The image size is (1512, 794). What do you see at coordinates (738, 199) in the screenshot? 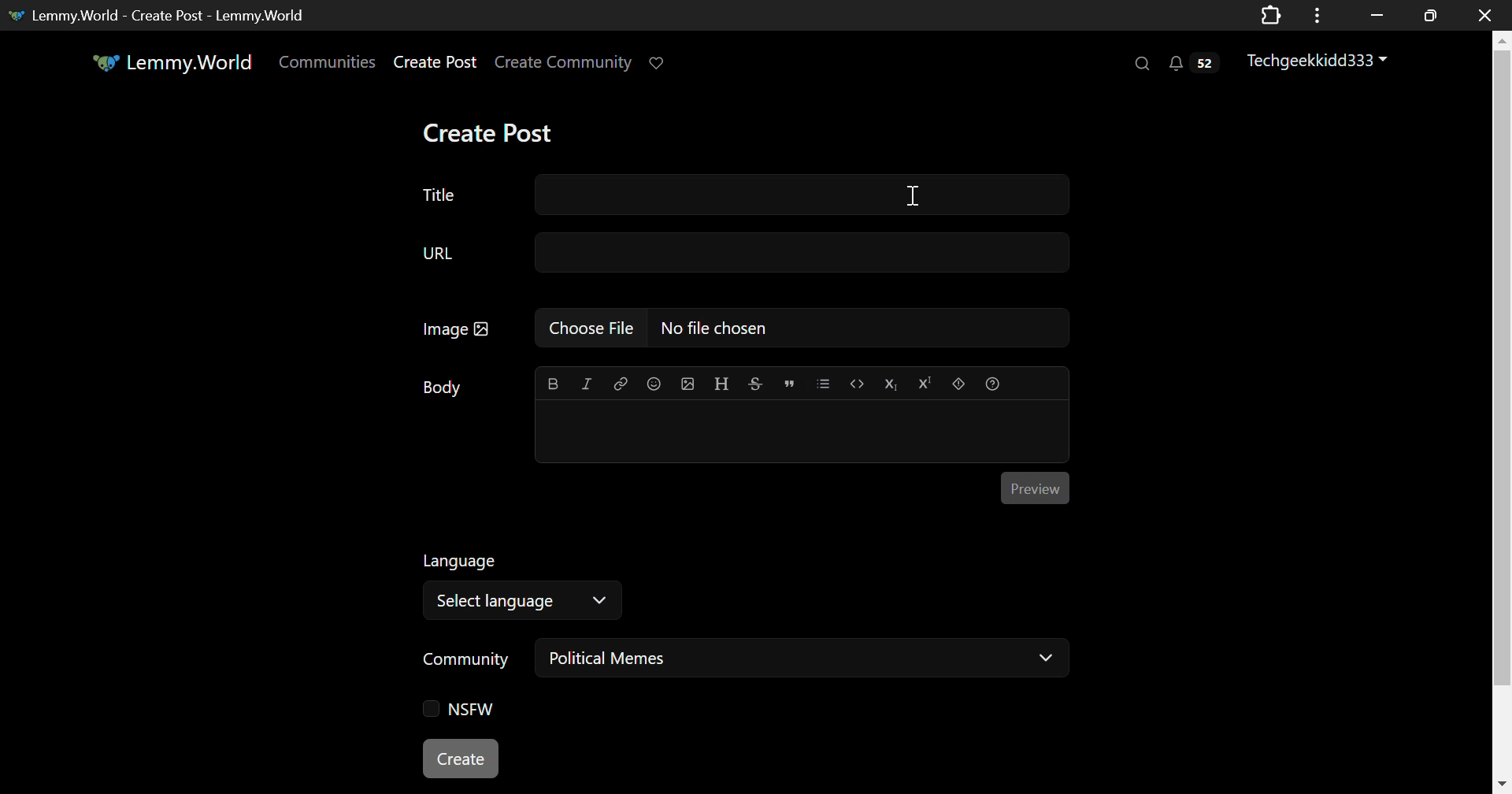
I see `Post Title Text Field` at bounding box center [738, 199].